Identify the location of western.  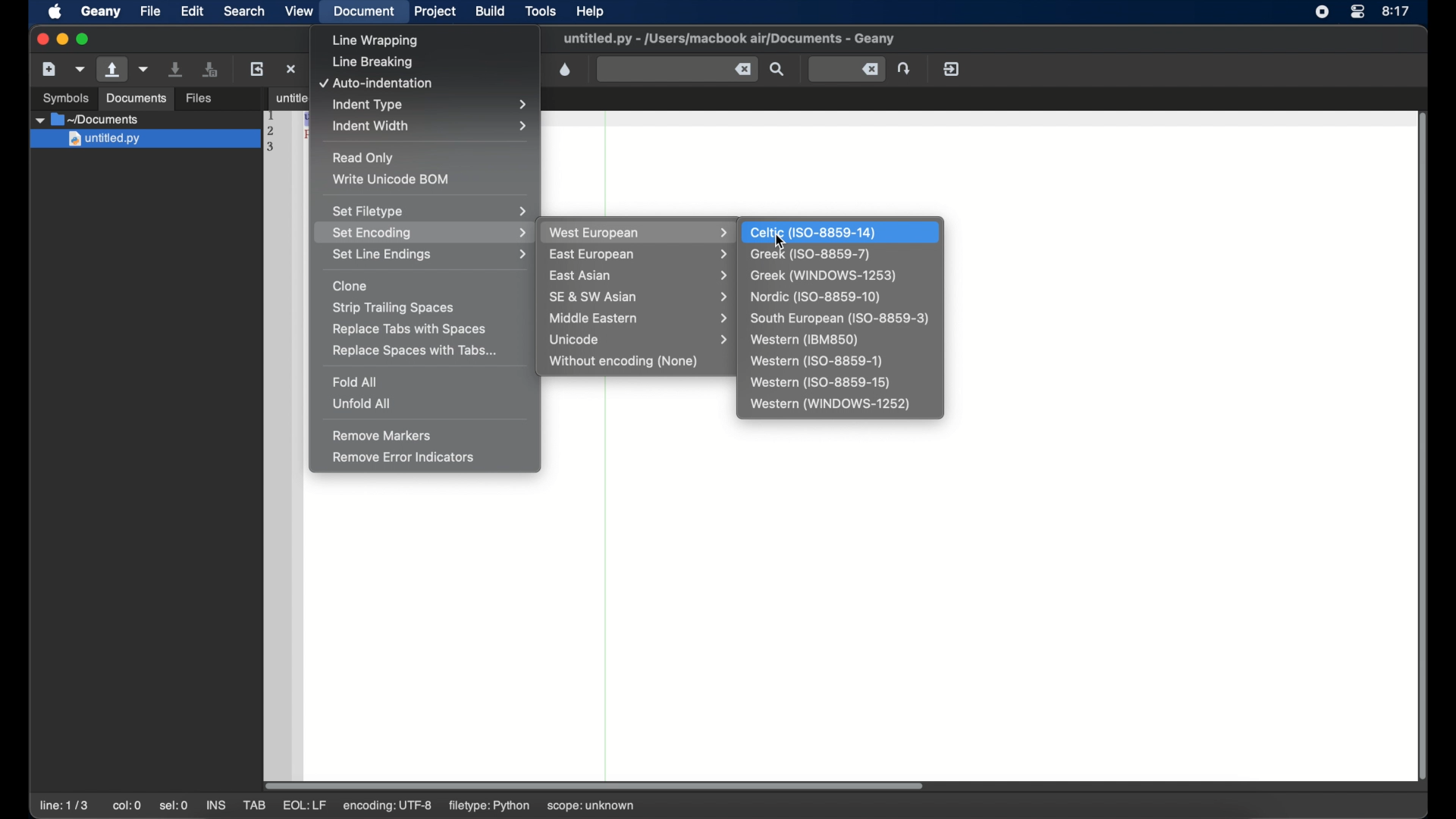
(820, 383).